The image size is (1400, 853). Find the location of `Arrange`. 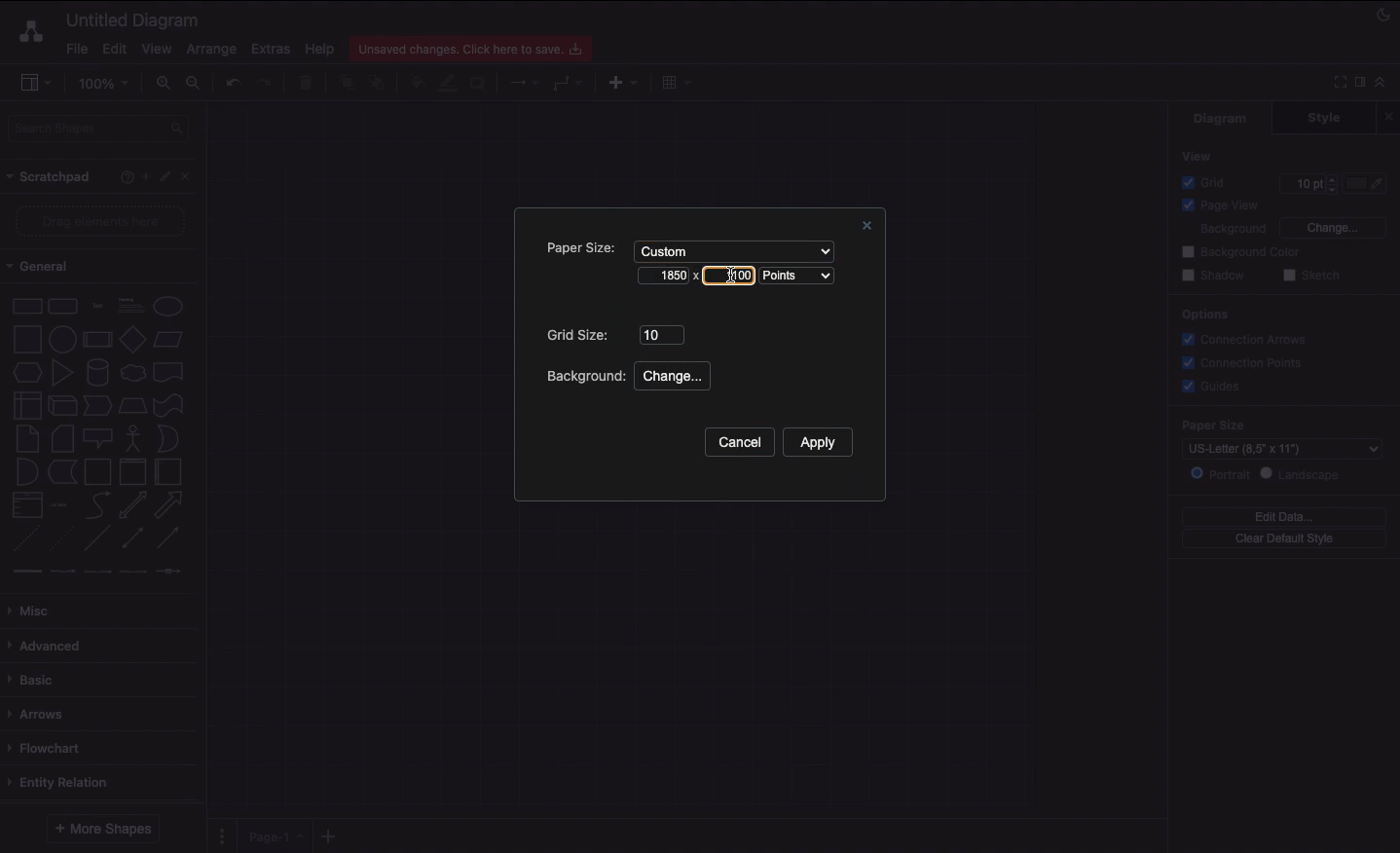

Arrange is located at coordinates (212, 50).